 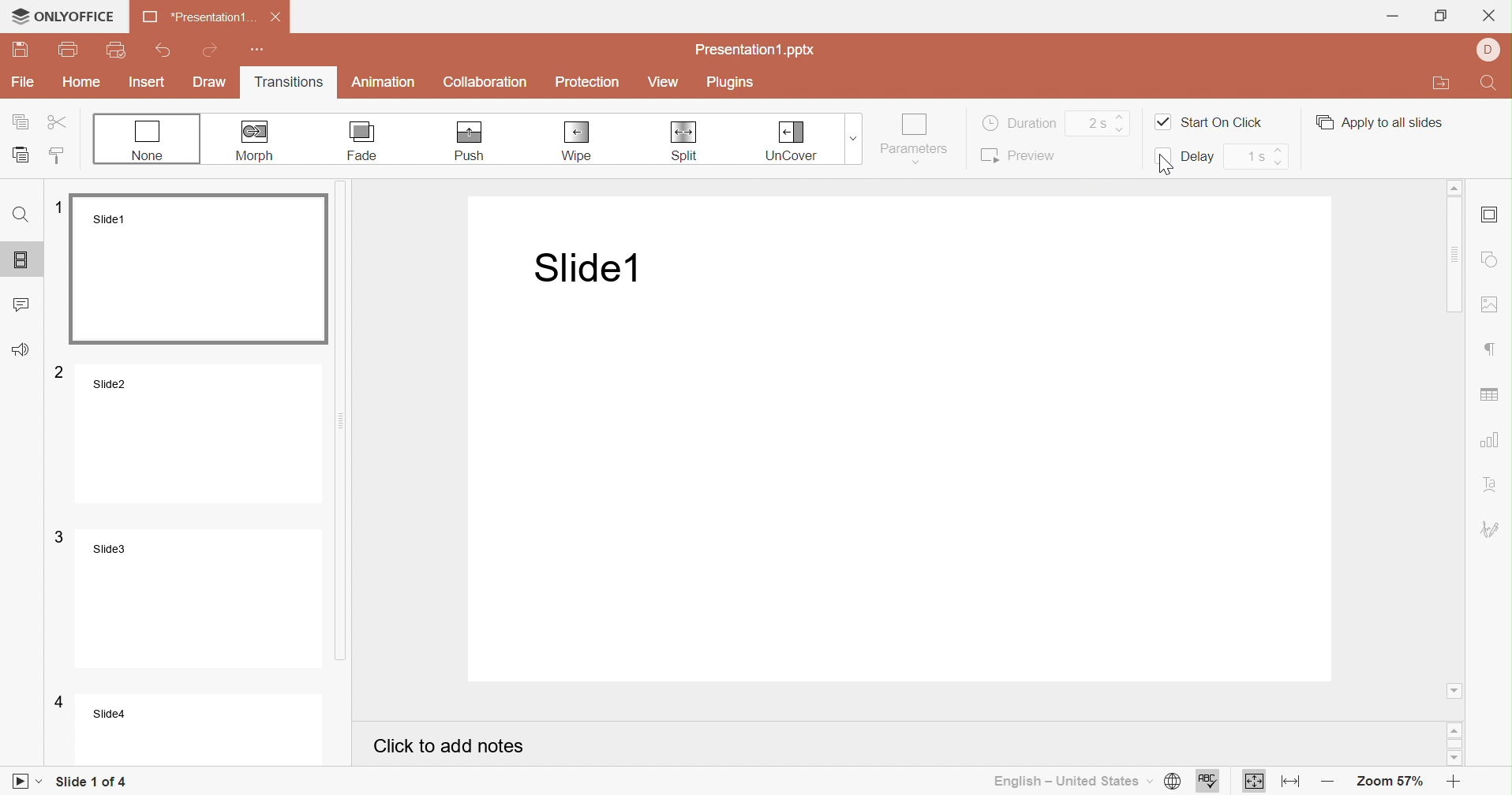 I want to click on Morph, so click(x=258, y=140).